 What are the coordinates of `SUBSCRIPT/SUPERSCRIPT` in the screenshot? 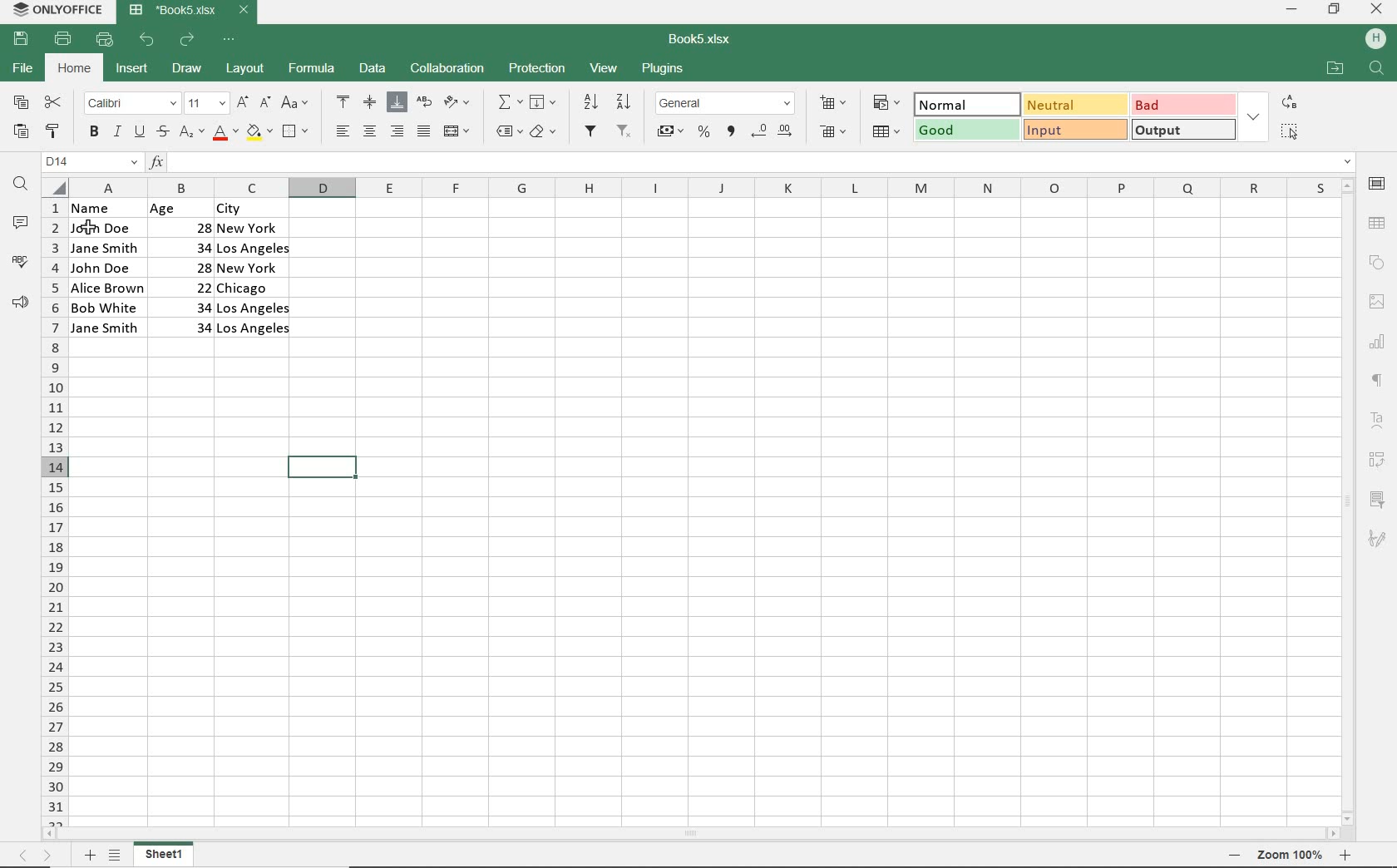 It's located at (190, 131).